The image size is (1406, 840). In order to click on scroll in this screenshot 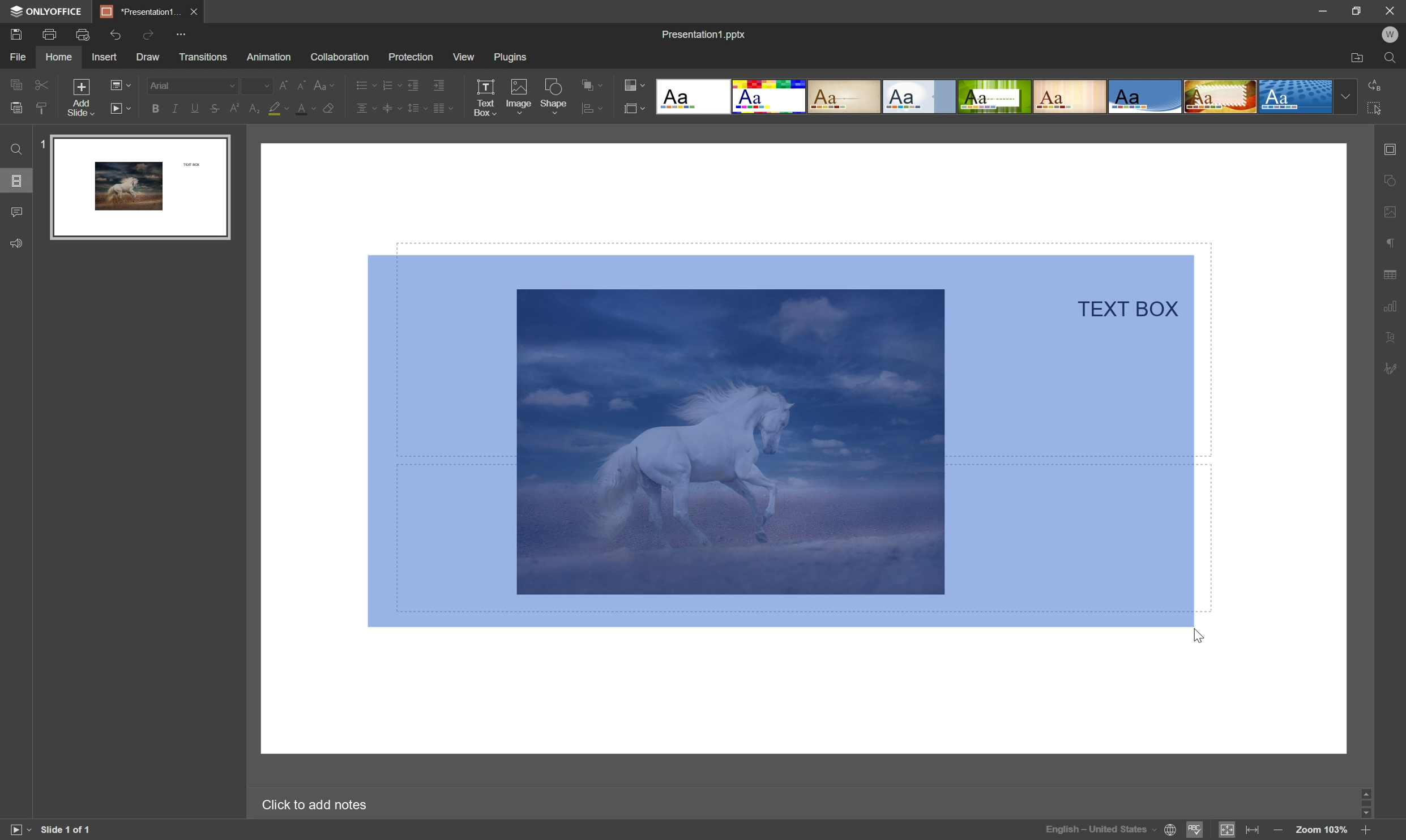, I will do `click(1366, 804)`.